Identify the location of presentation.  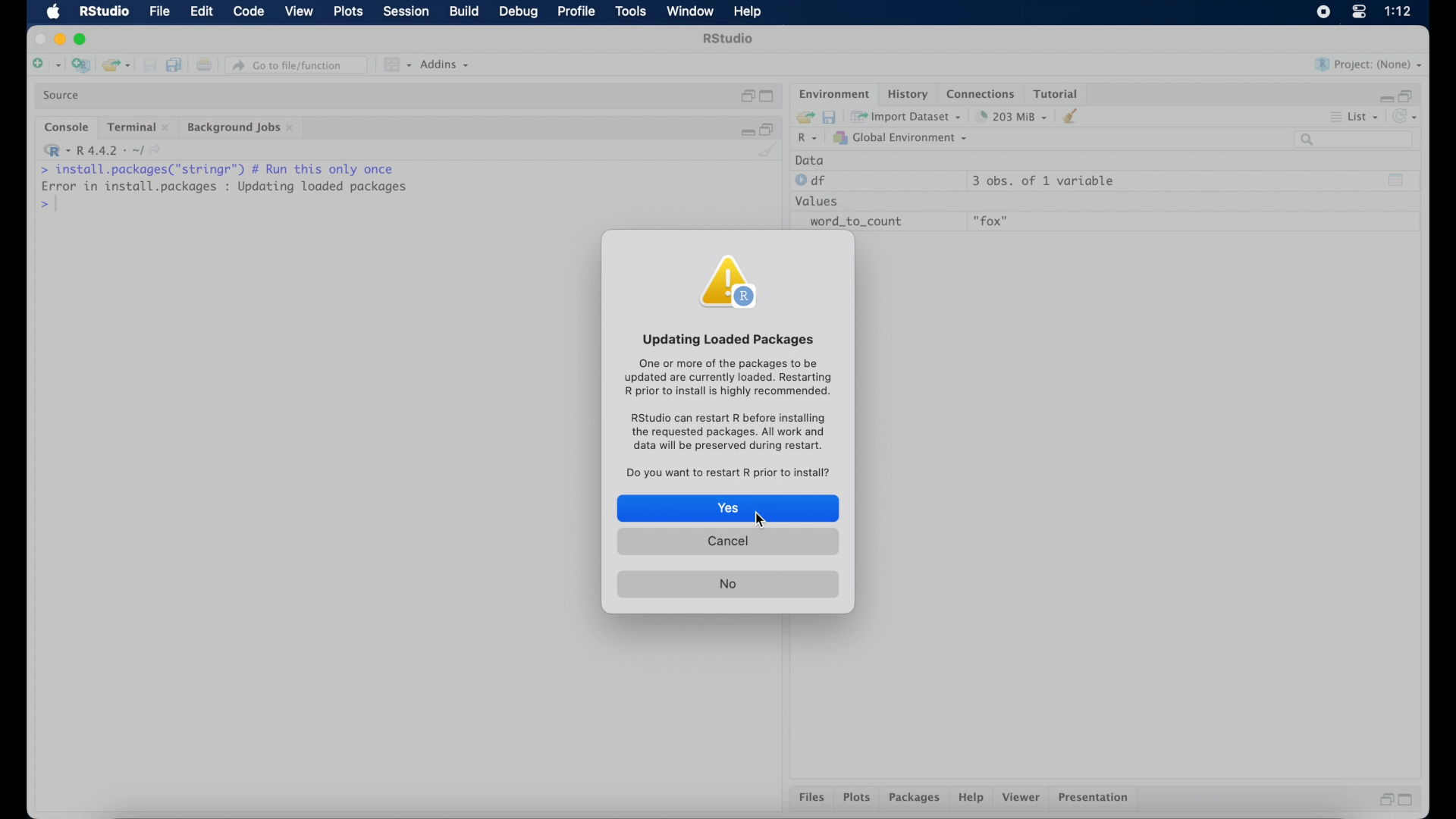
(1096, 799).